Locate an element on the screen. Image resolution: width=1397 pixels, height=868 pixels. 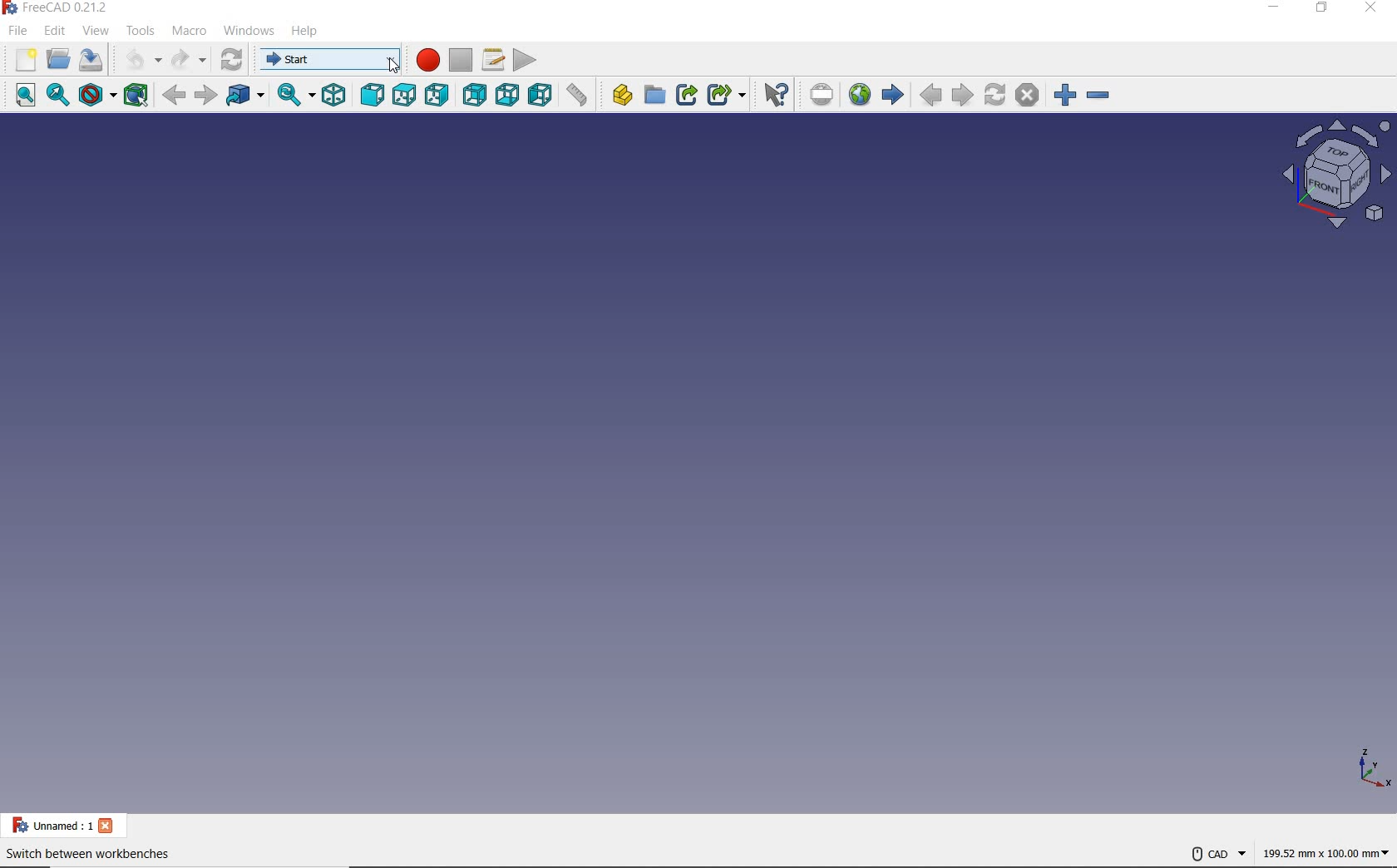
REAR is located at coordinates (473, 94).